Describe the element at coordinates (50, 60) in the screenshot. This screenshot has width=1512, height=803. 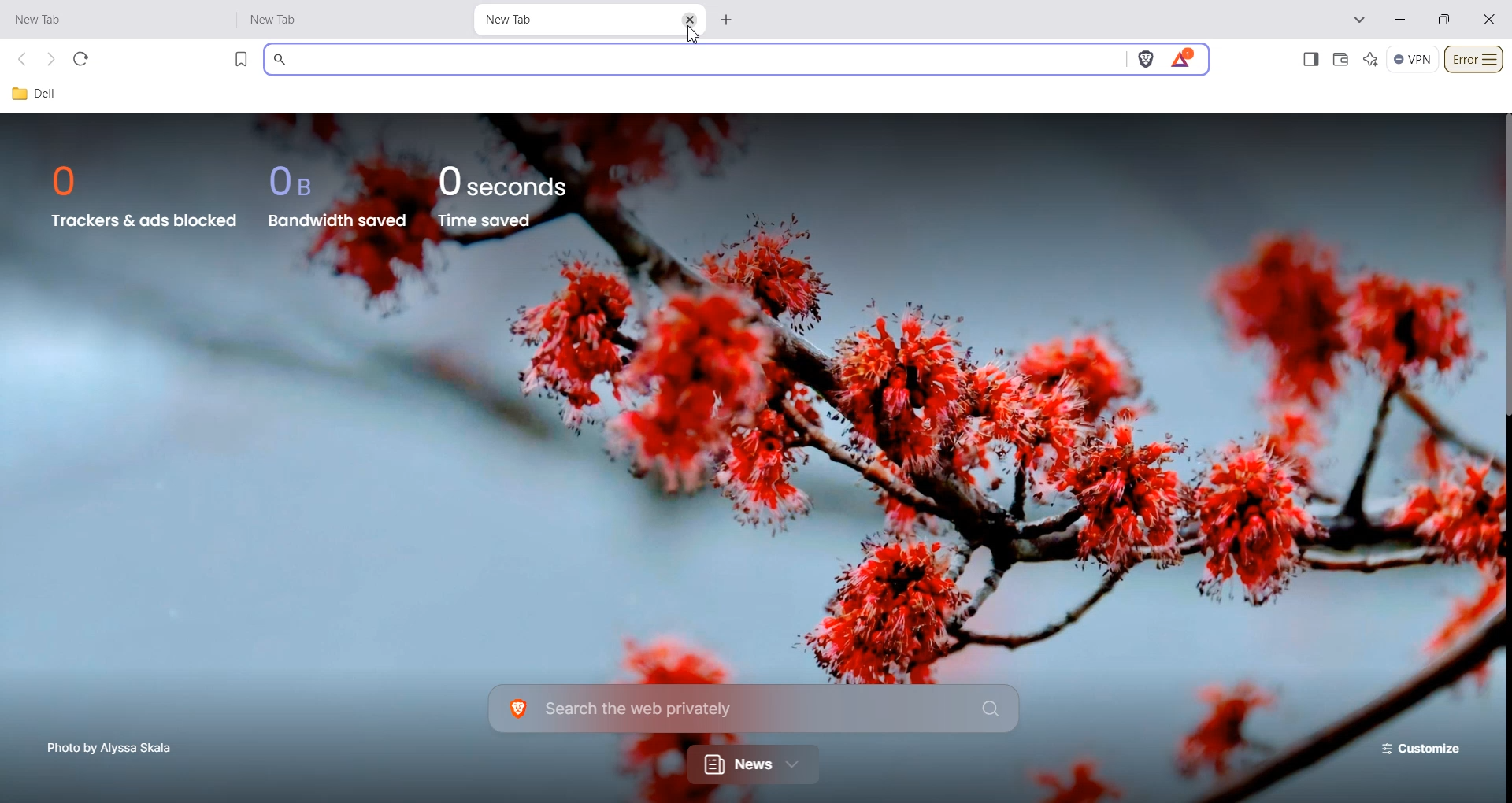
I see `Forward` at that location.